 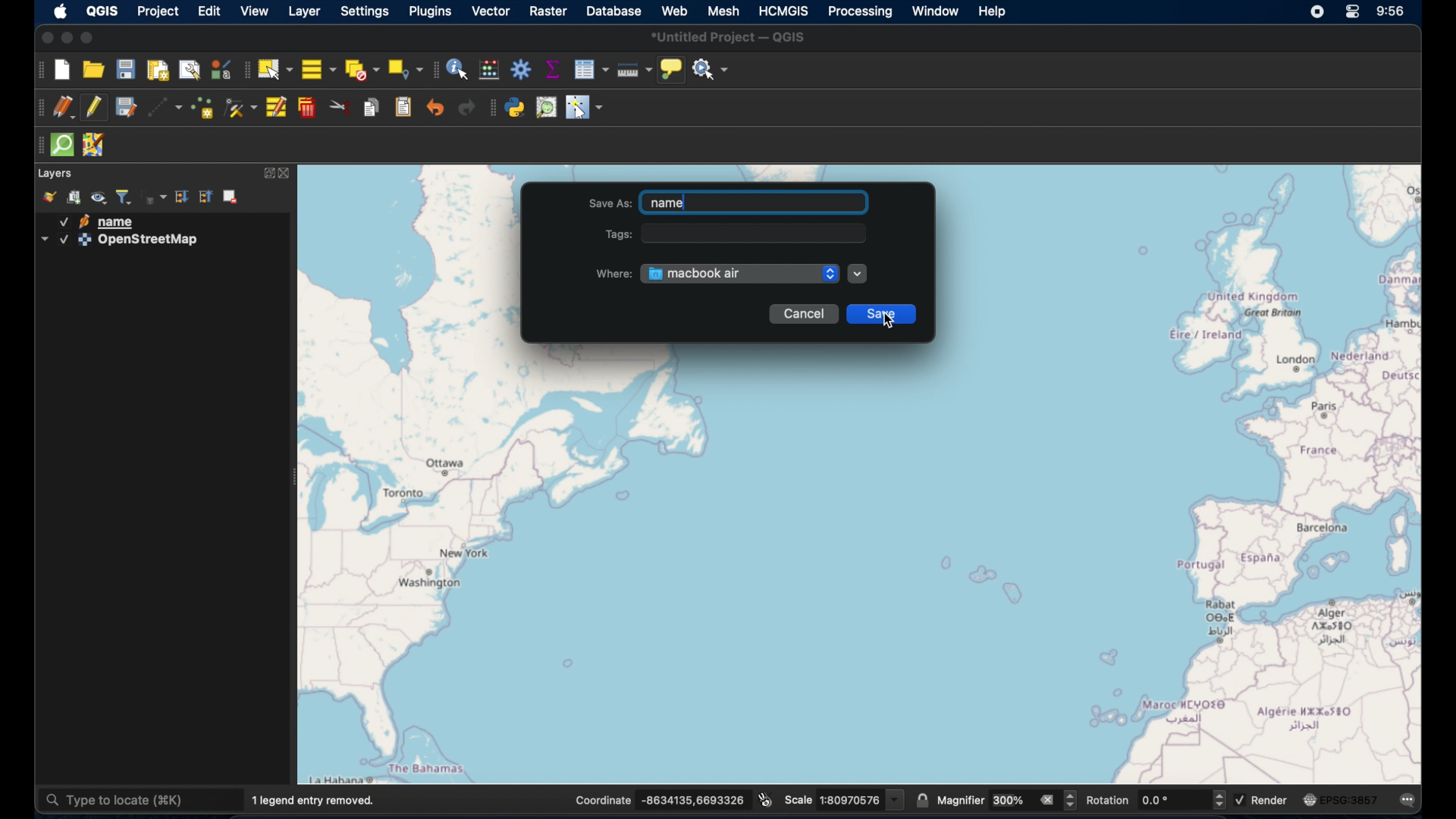 I want to click on current csr, so click(x=1341, y=800).